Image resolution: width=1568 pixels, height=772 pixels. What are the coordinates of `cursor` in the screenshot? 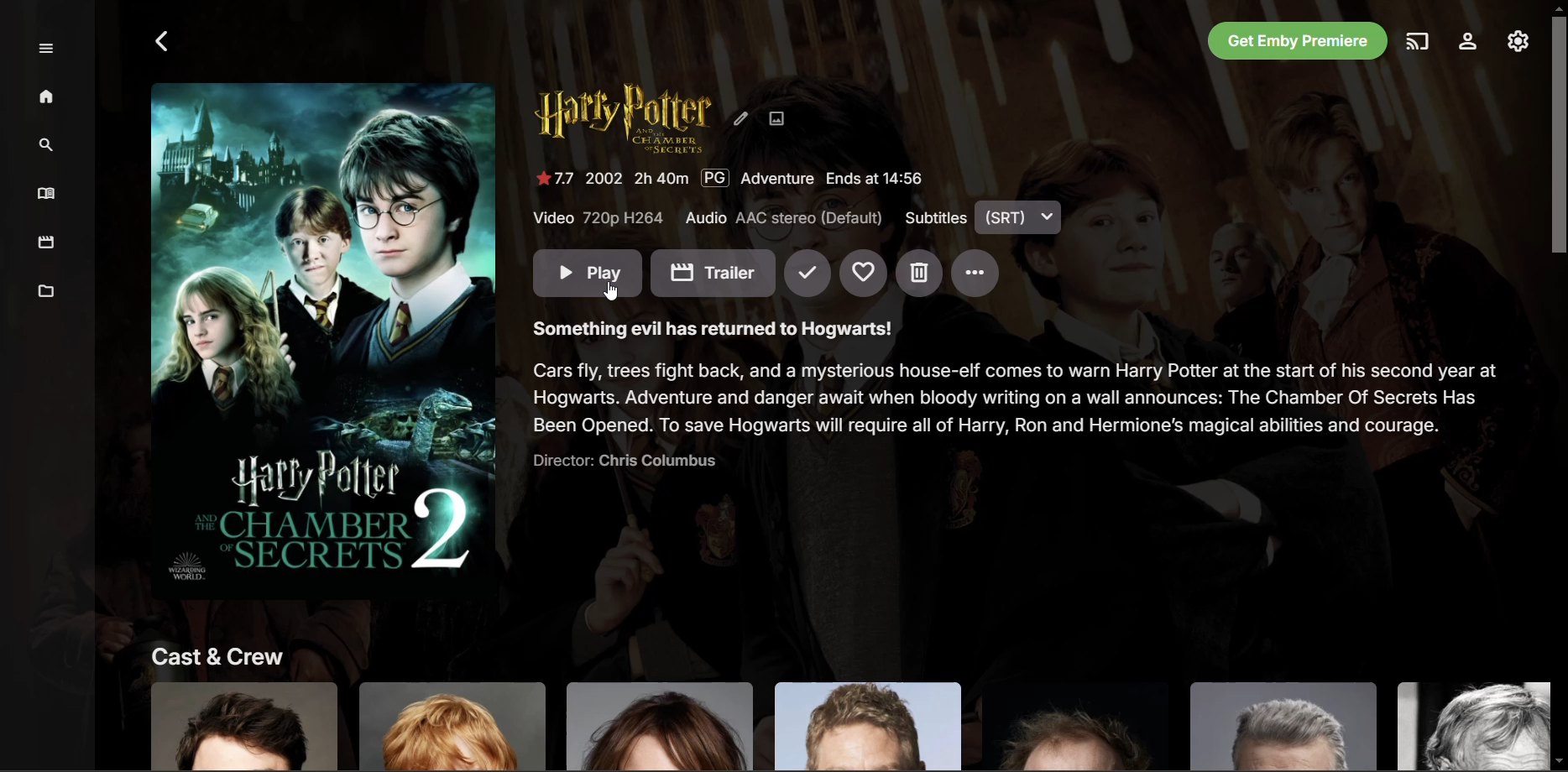 It's located at (611, 289).